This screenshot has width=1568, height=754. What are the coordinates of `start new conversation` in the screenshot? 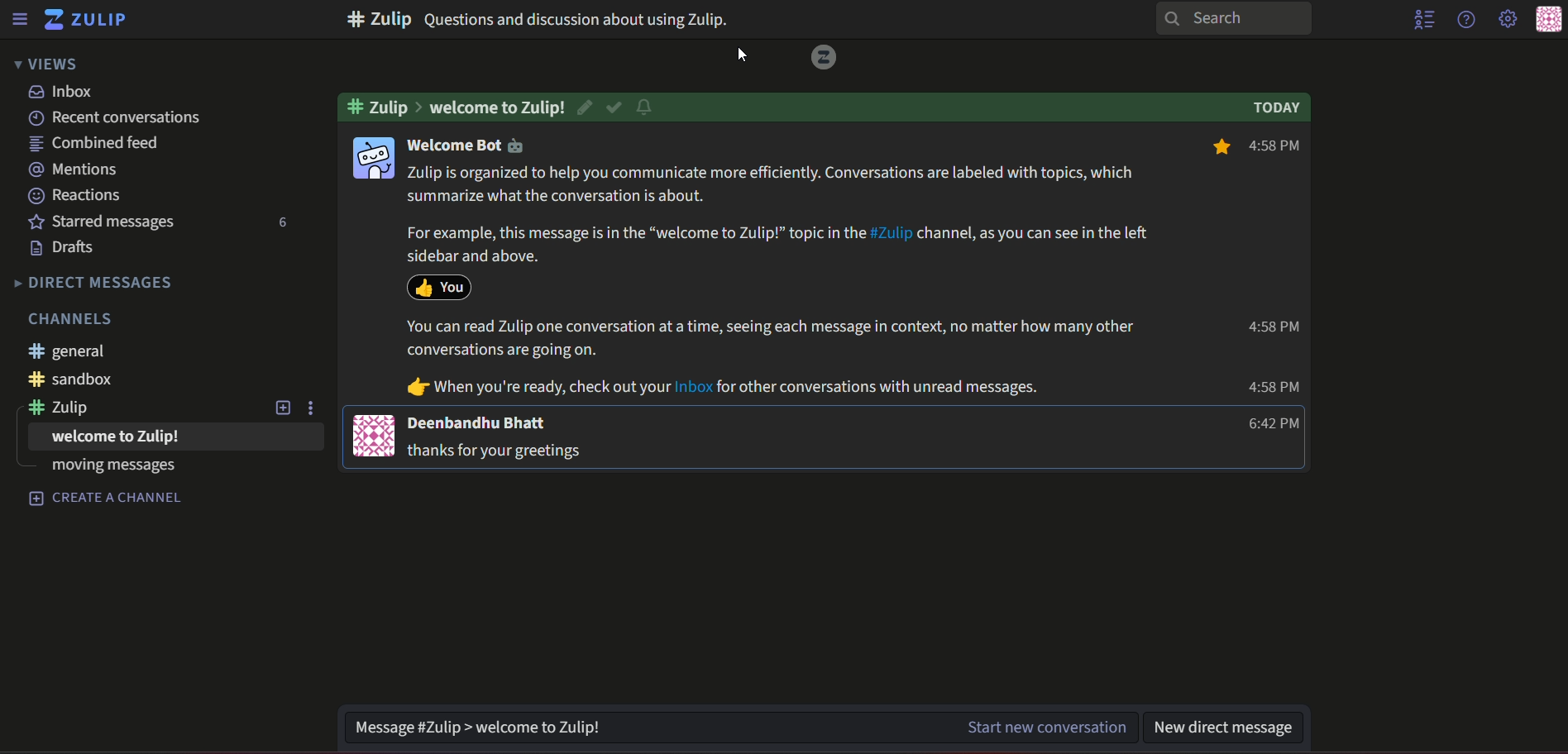 It's located at (1044, 728).